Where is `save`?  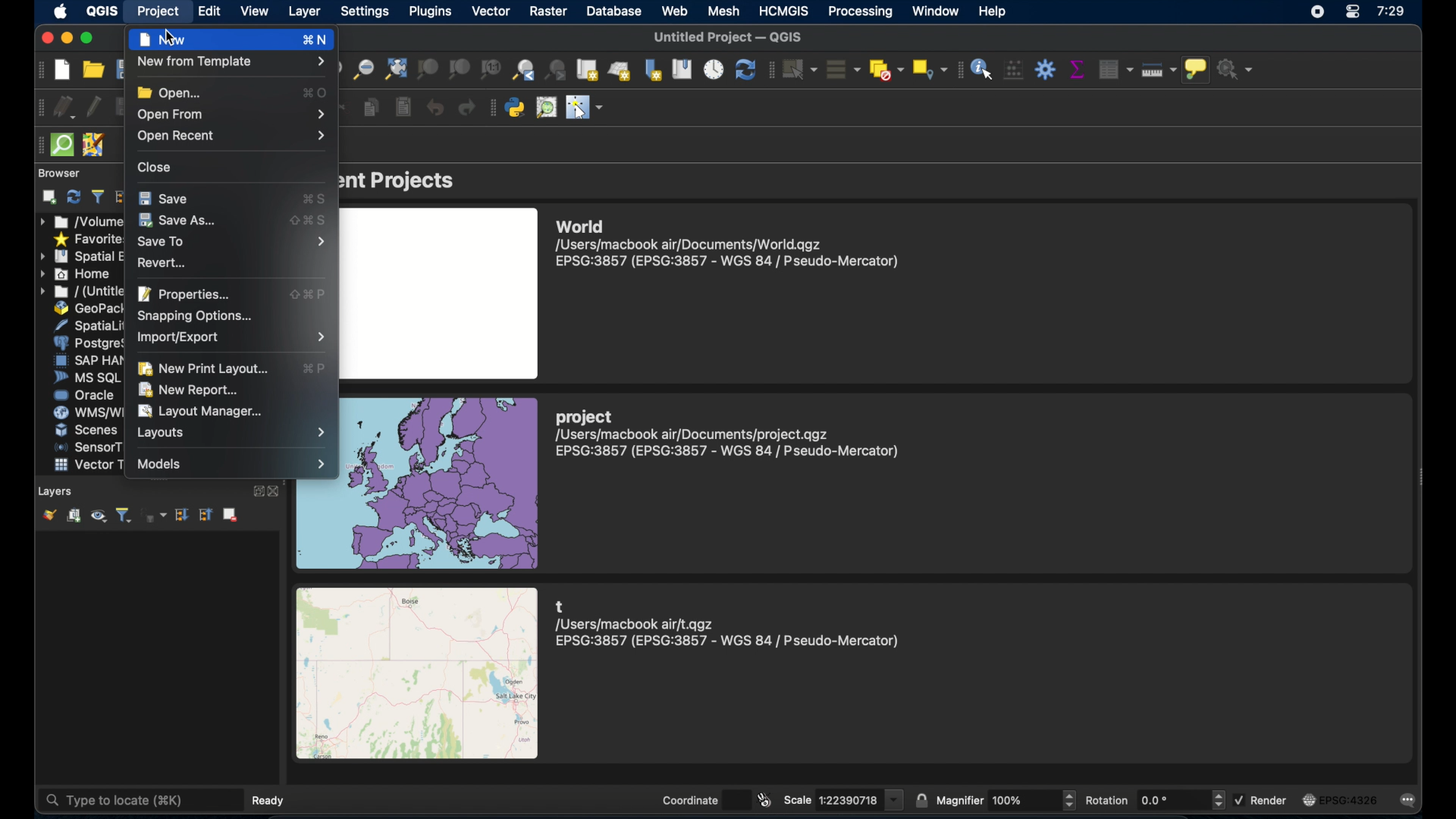
save is located at coordinates (166, 199).